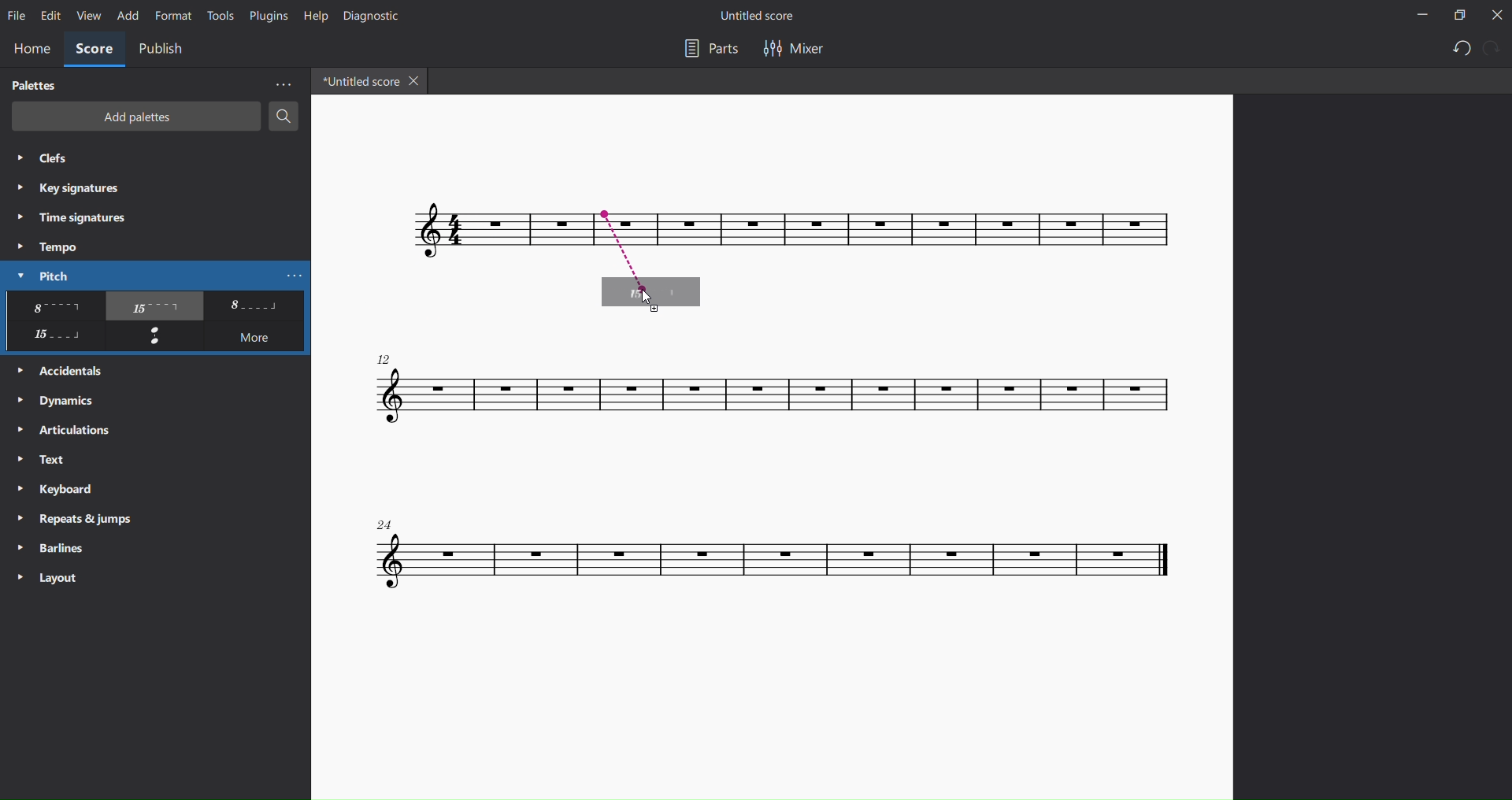  What do you see at coordinates (377, 17) in the screenshot?
I see `dignostic` at bounding box center [377, 17].